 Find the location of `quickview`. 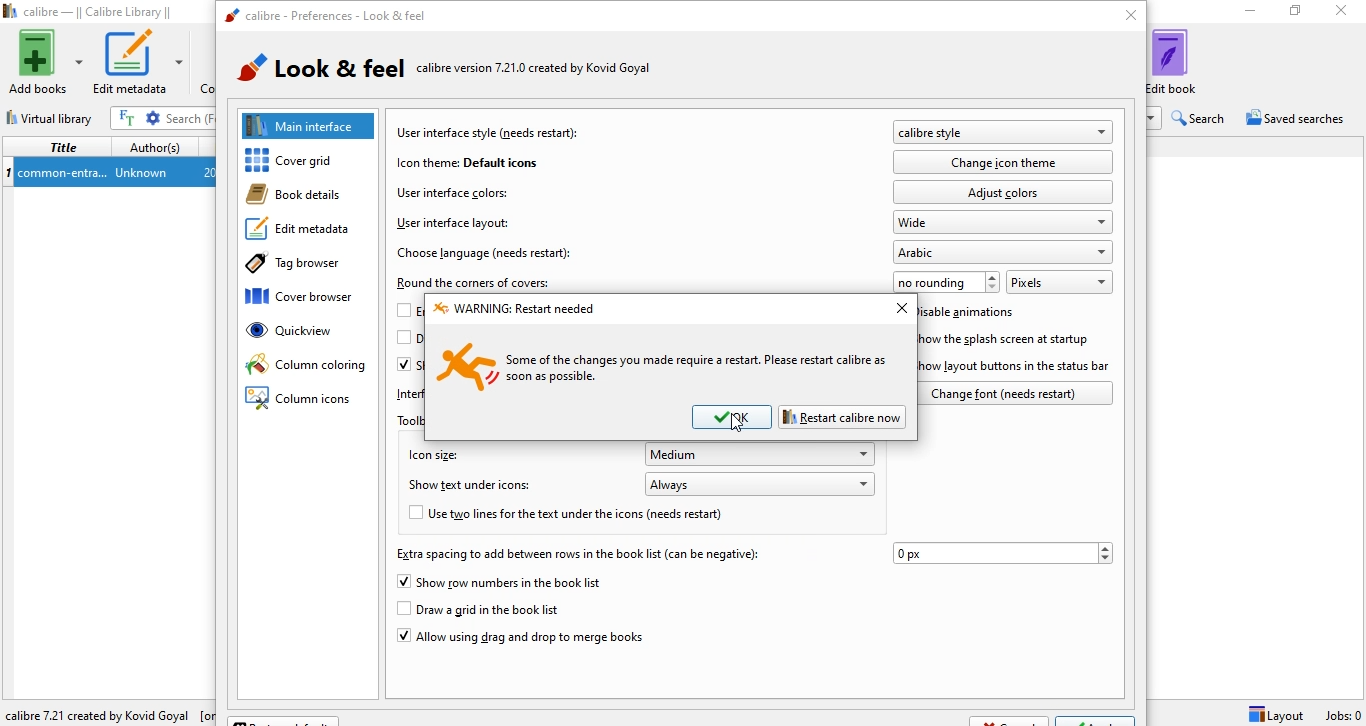

quickview is located at coordinates (310, 336).